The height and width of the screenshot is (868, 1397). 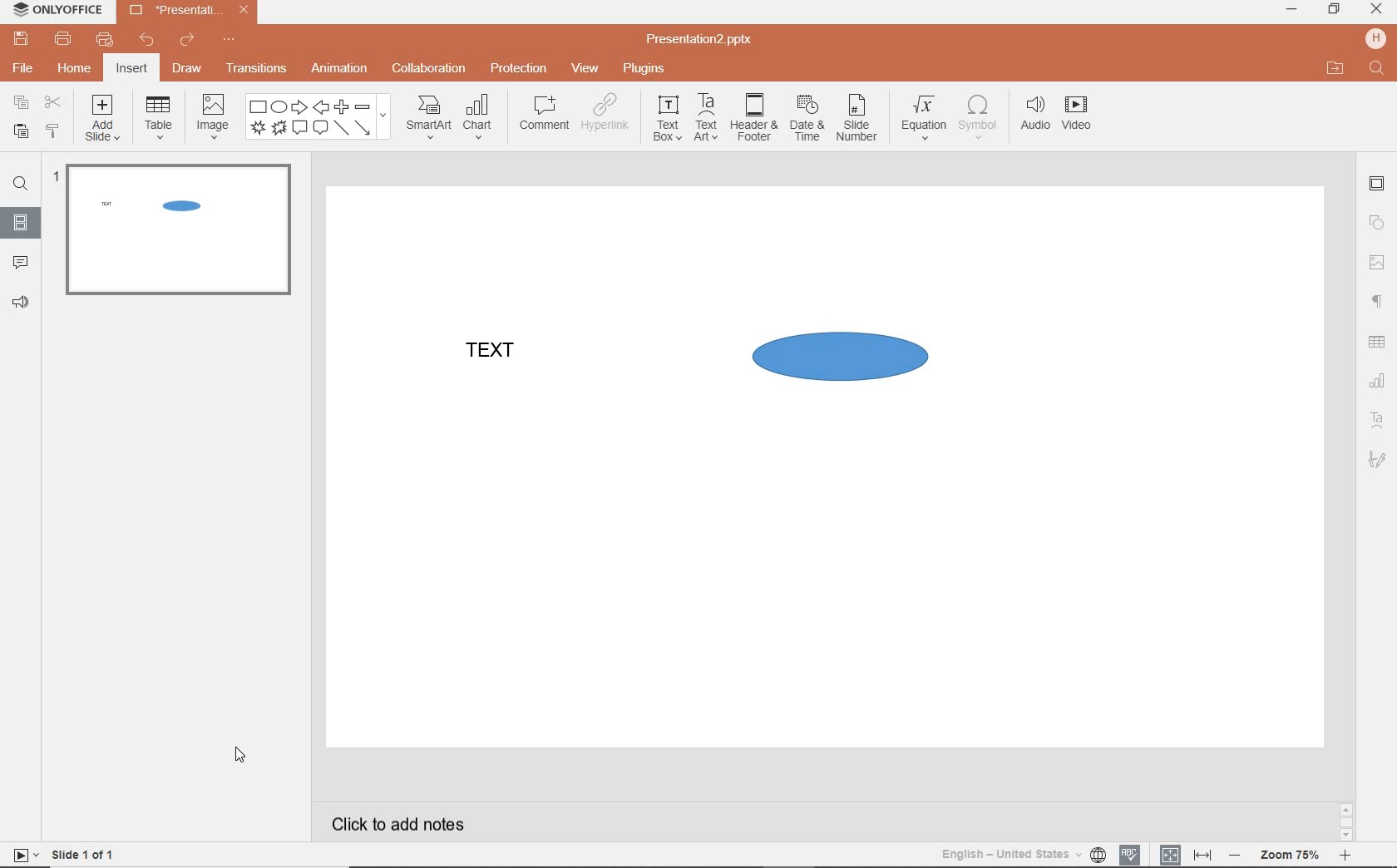 What do you see at coordinates (21, 133) in the screenshot?
I see `paste` at bounding box center [21, 133].